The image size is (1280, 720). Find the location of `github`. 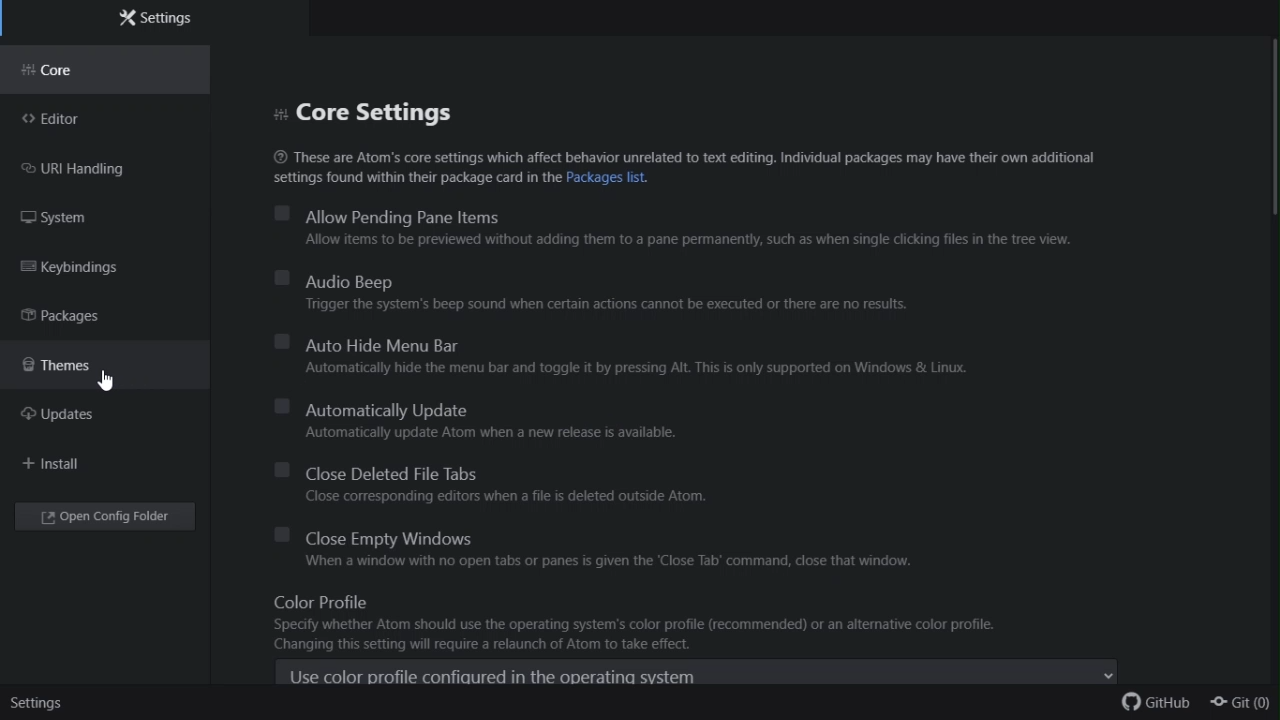

github is located at coordinates (1157, 706).